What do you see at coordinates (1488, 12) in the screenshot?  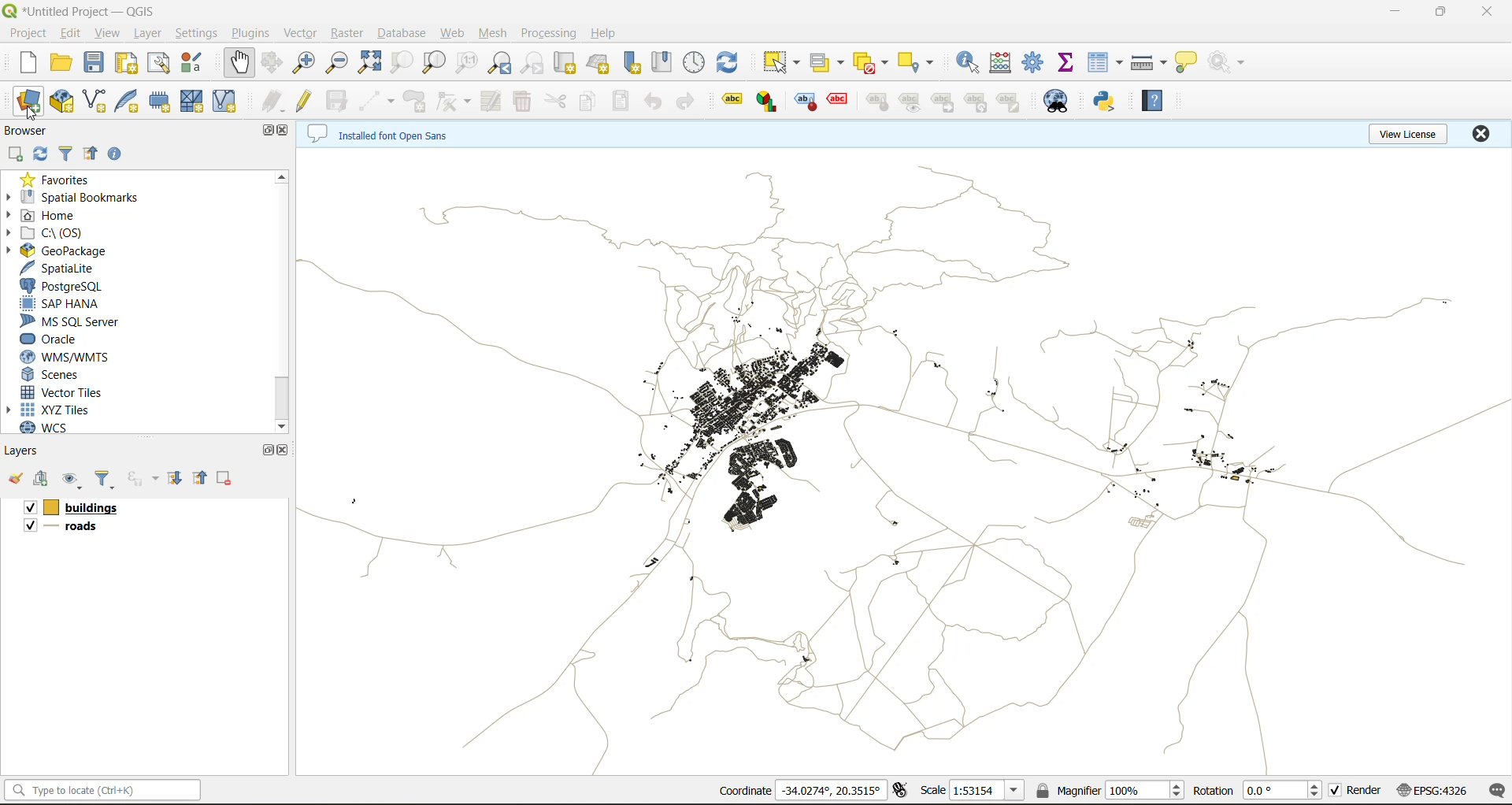 I see `close` at bounding box center [1488, 12].